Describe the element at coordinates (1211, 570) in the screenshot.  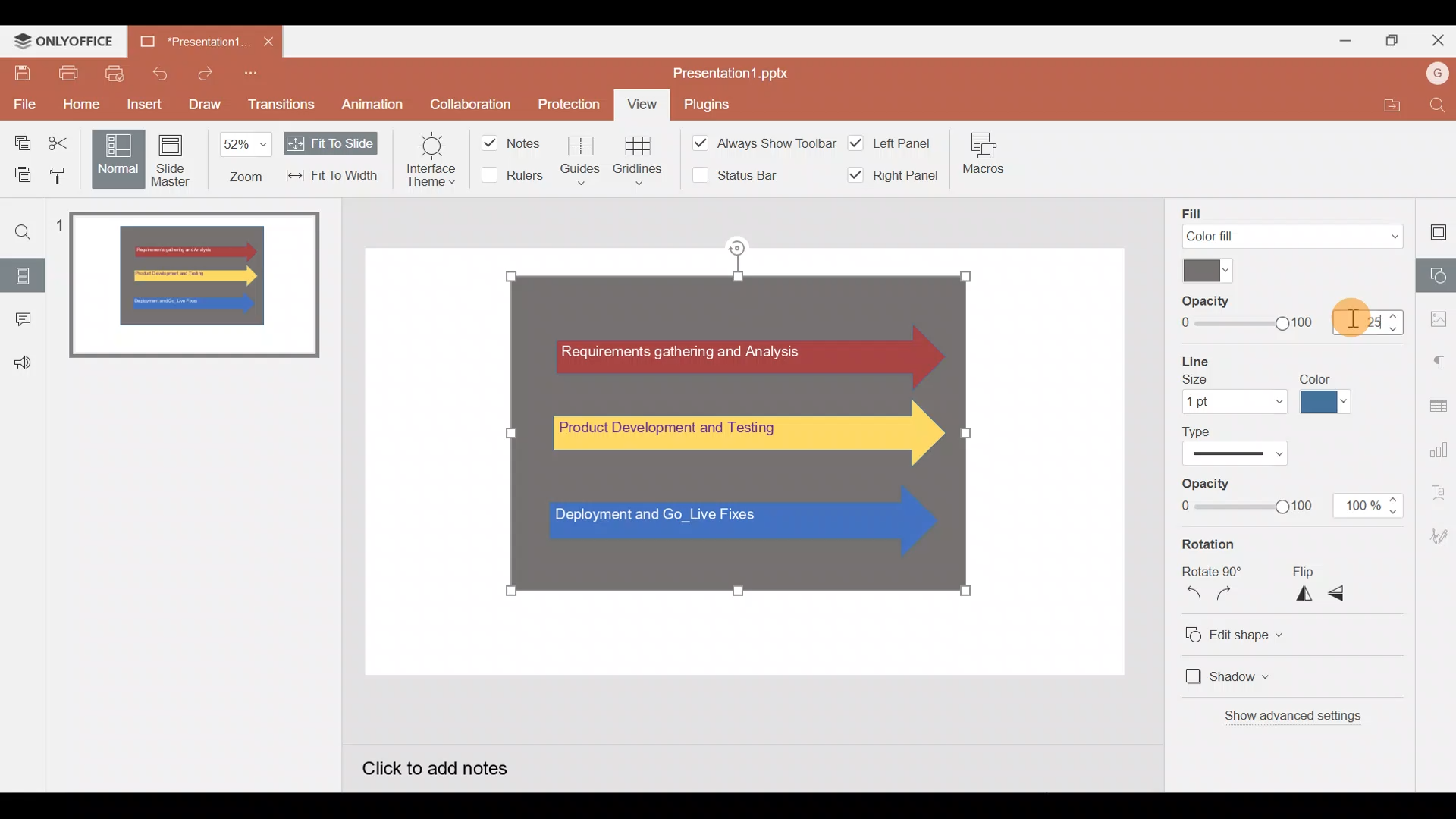
I see `Rotate 90o` at that location.